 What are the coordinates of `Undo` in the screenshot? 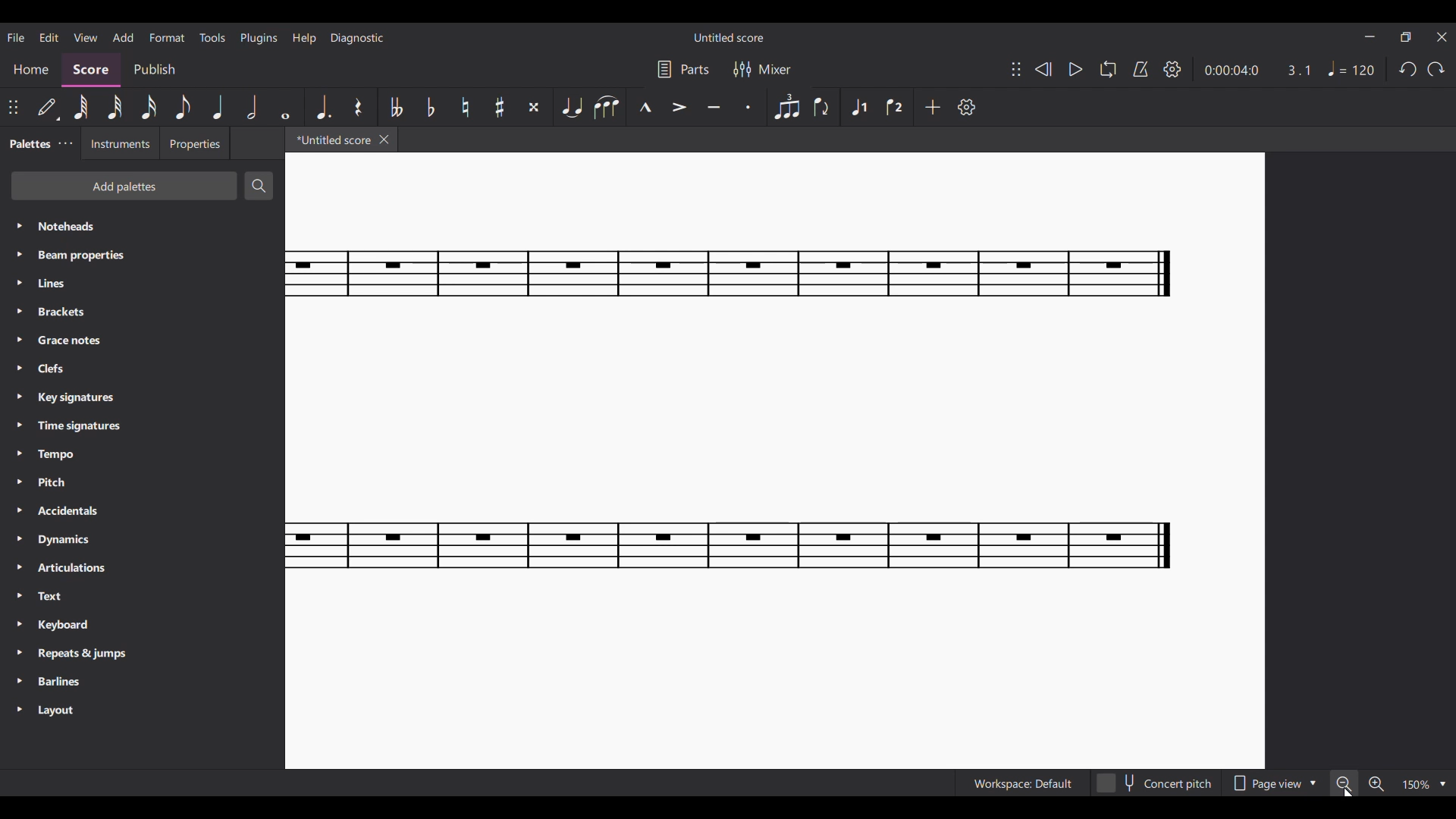 It's located at (1408, 69).